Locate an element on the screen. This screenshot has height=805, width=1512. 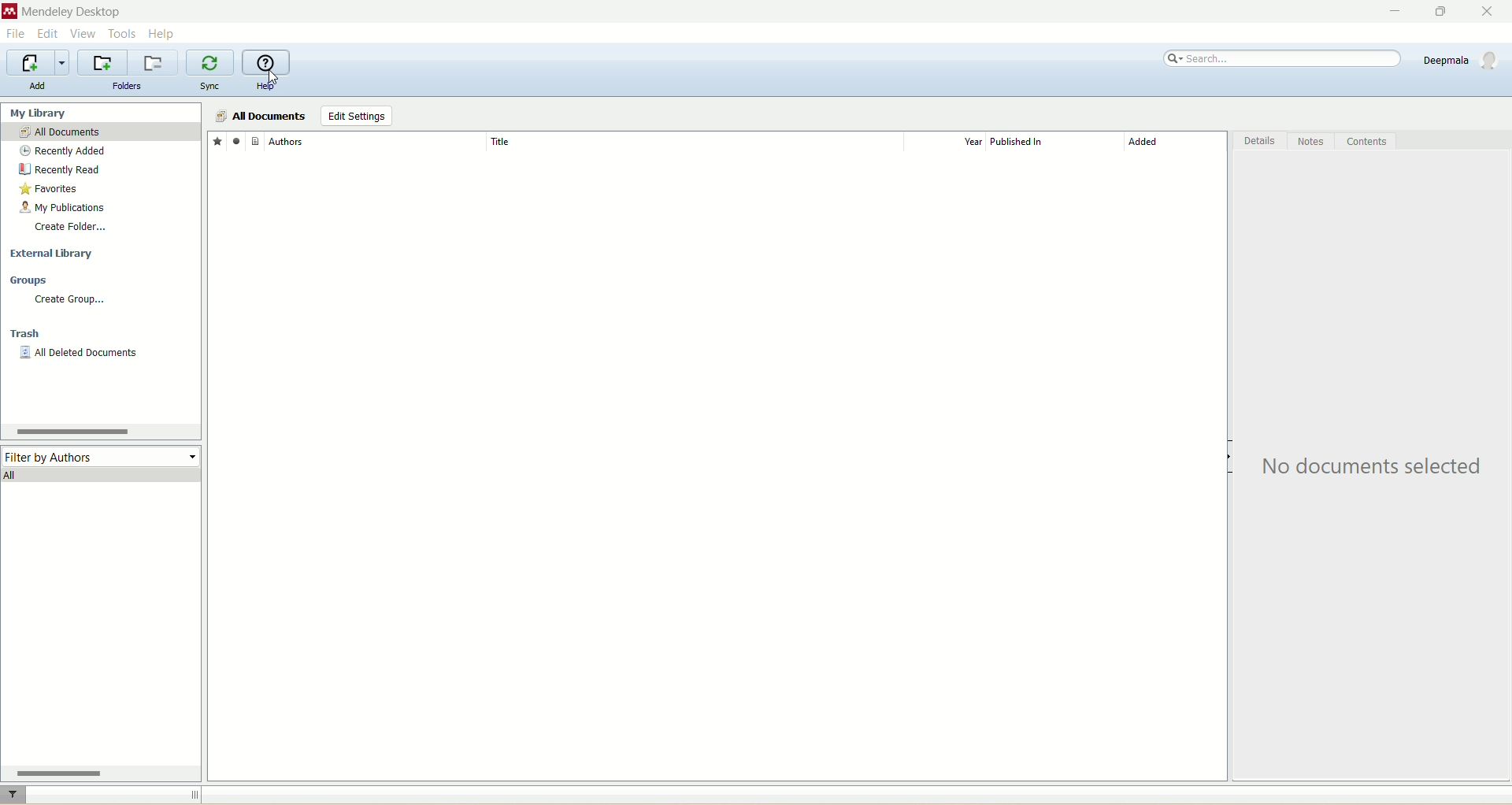
create group is located at coordinates (72, 300).